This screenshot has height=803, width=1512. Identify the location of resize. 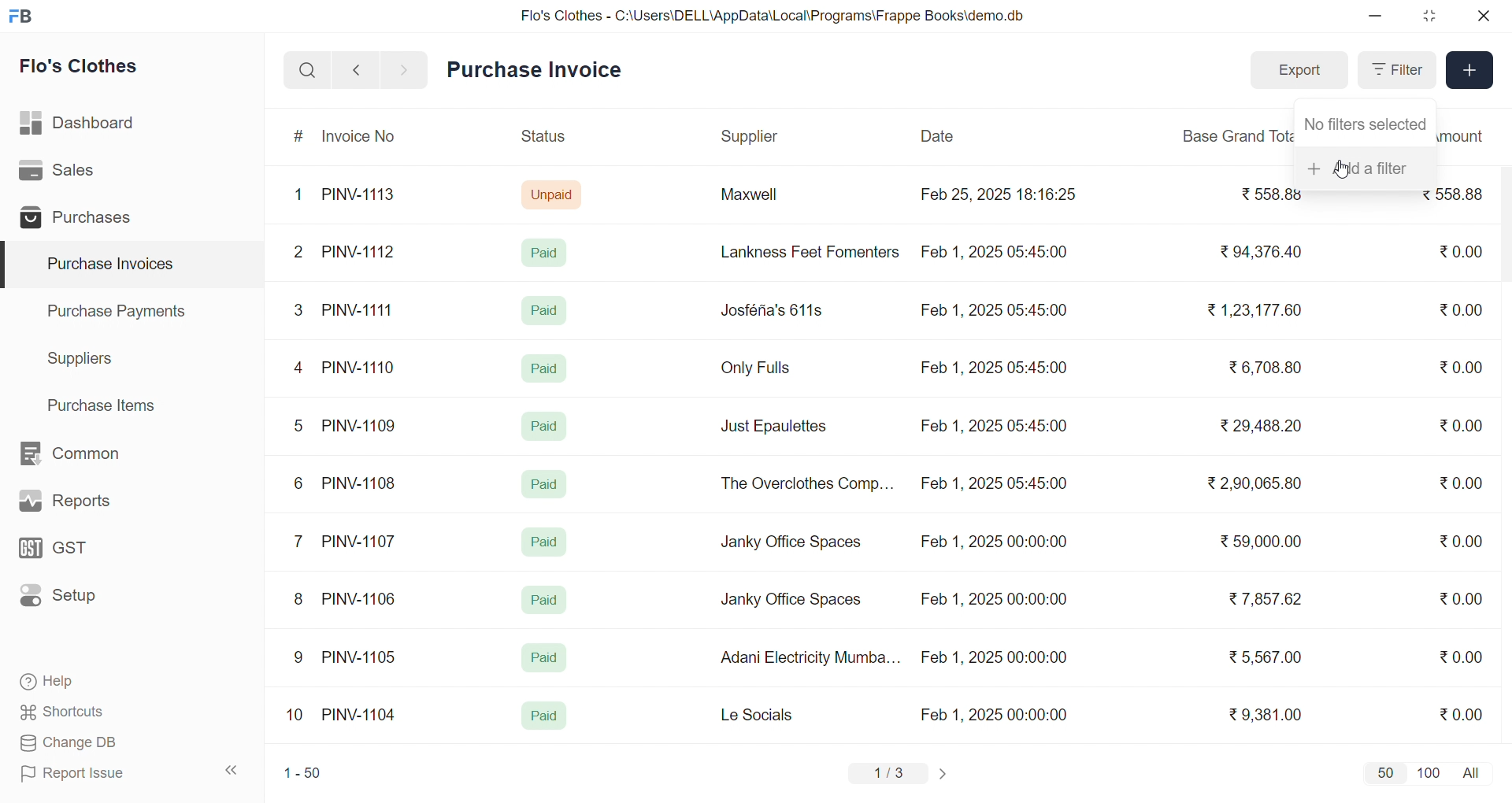
(1429, 16).